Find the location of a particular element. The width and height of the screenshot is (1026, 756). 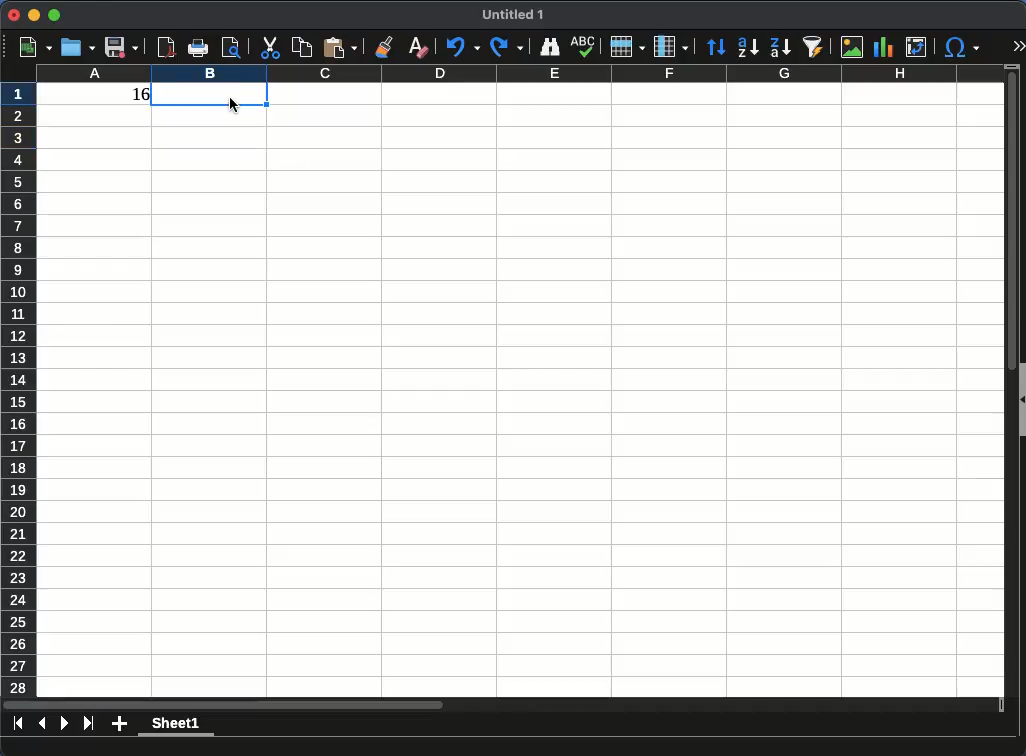

clone formatting  is located at coordinates (383, 46).